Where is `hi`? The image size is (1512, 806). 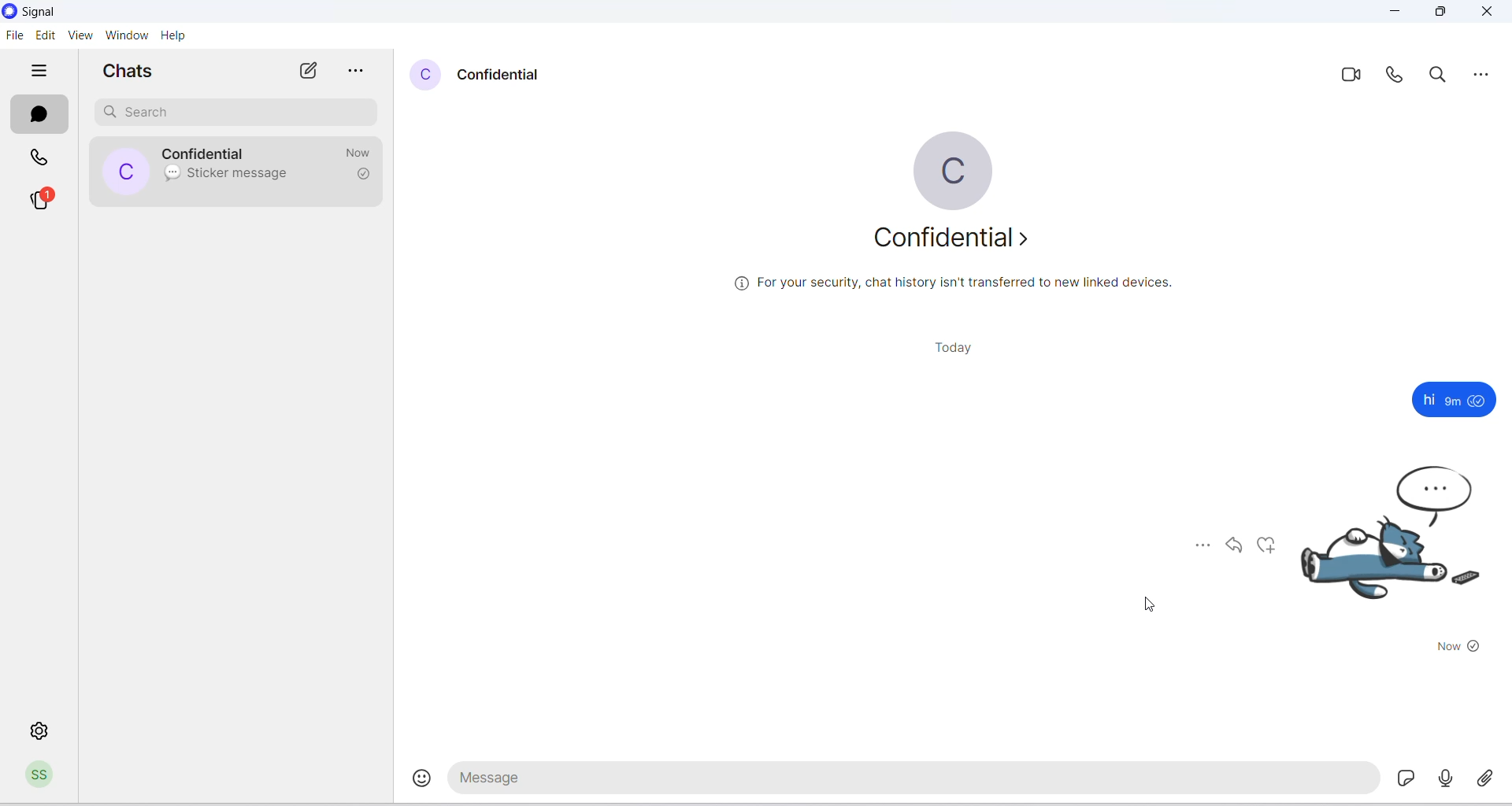 hi is located at coordinates (1428, 400).